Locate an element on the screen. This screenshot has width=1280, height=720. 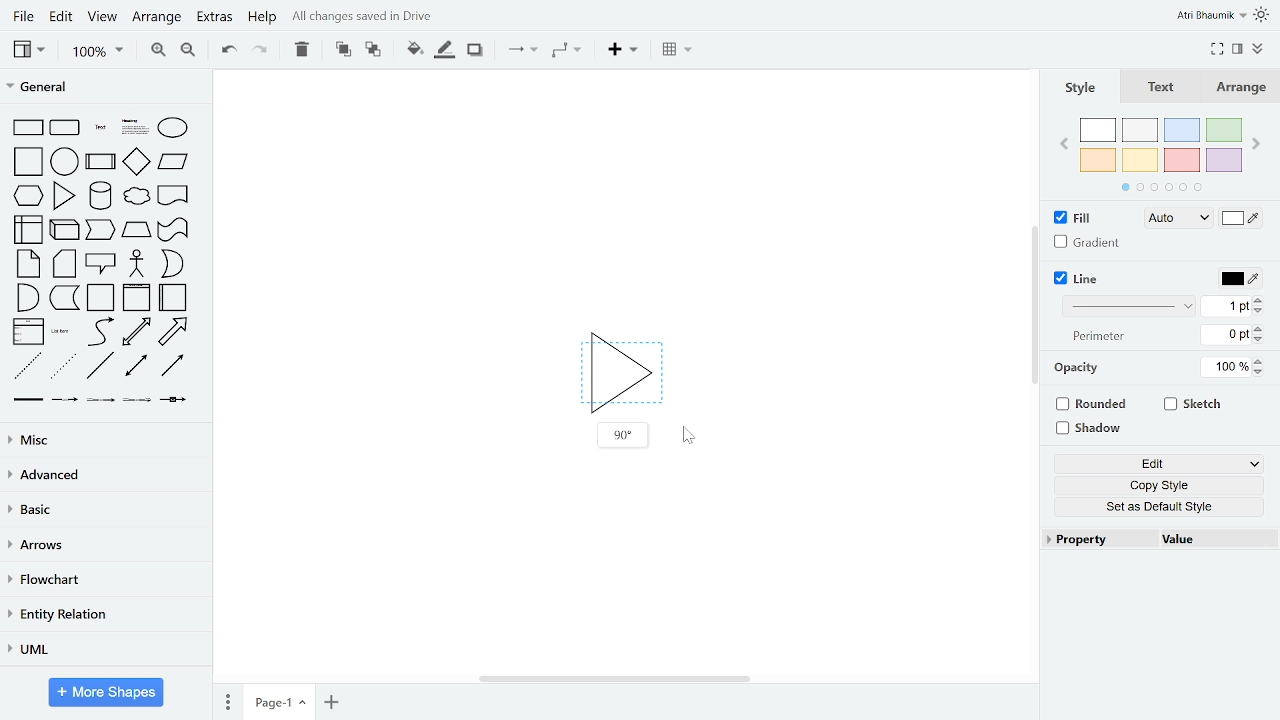
increase perimeter is located at coordinates (1259, 328).